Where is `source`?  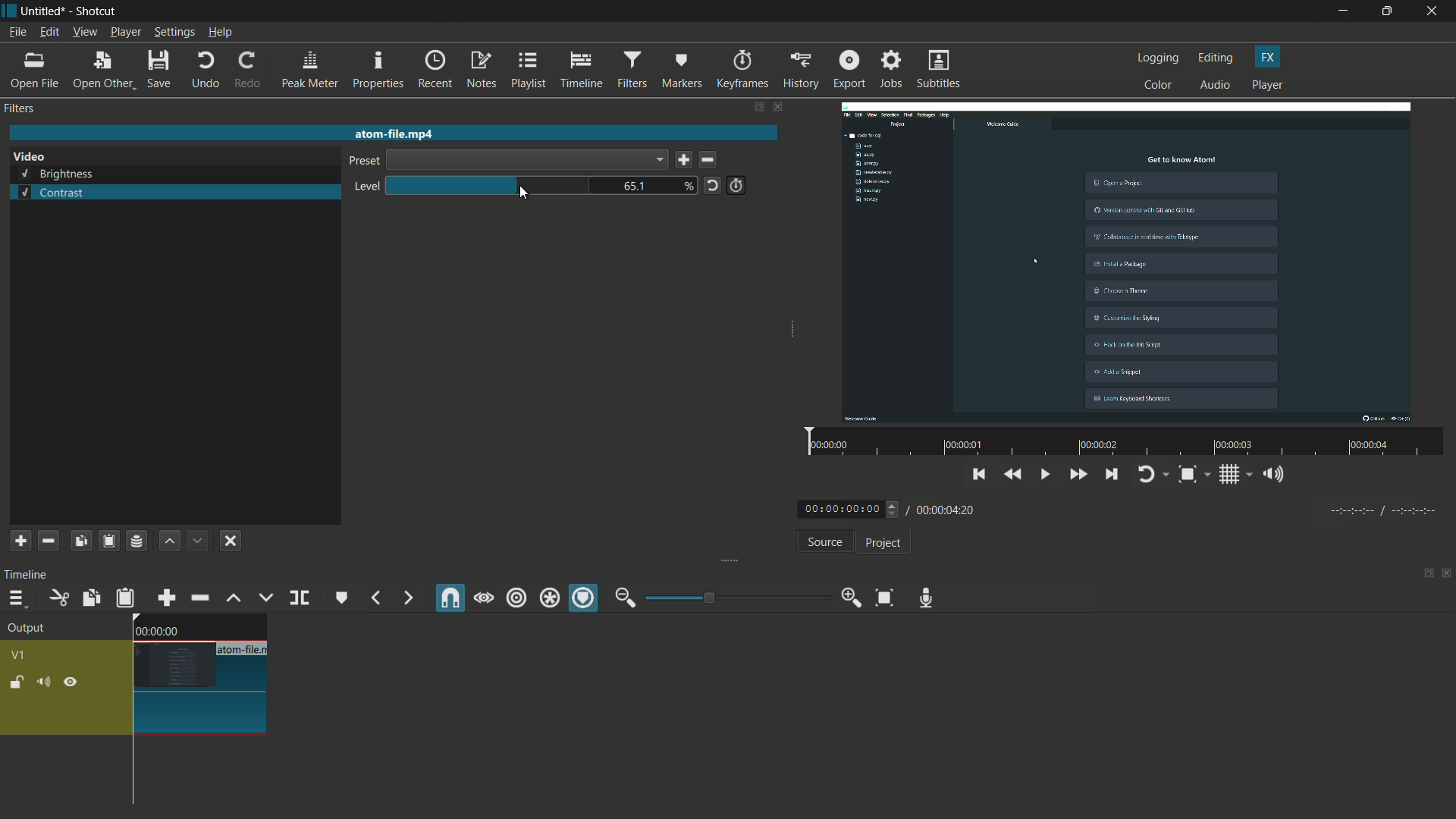
source is located at coordinates (824, 544).